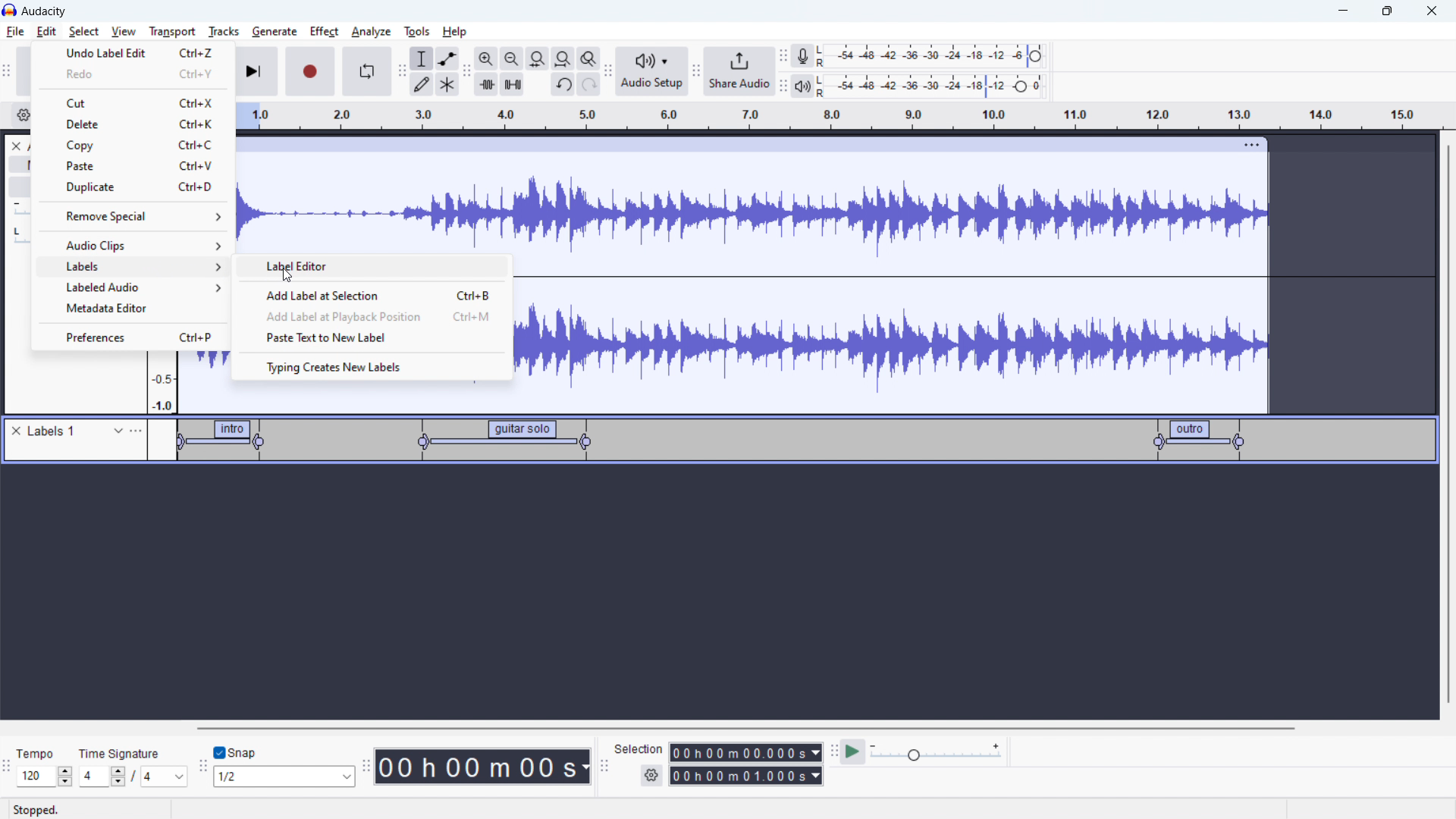 This screenshot has width=1456, height=819. What do you see at coordinates (422, 58) in the screenshot?
I see `selection tool` at bounding box center [422, 58].